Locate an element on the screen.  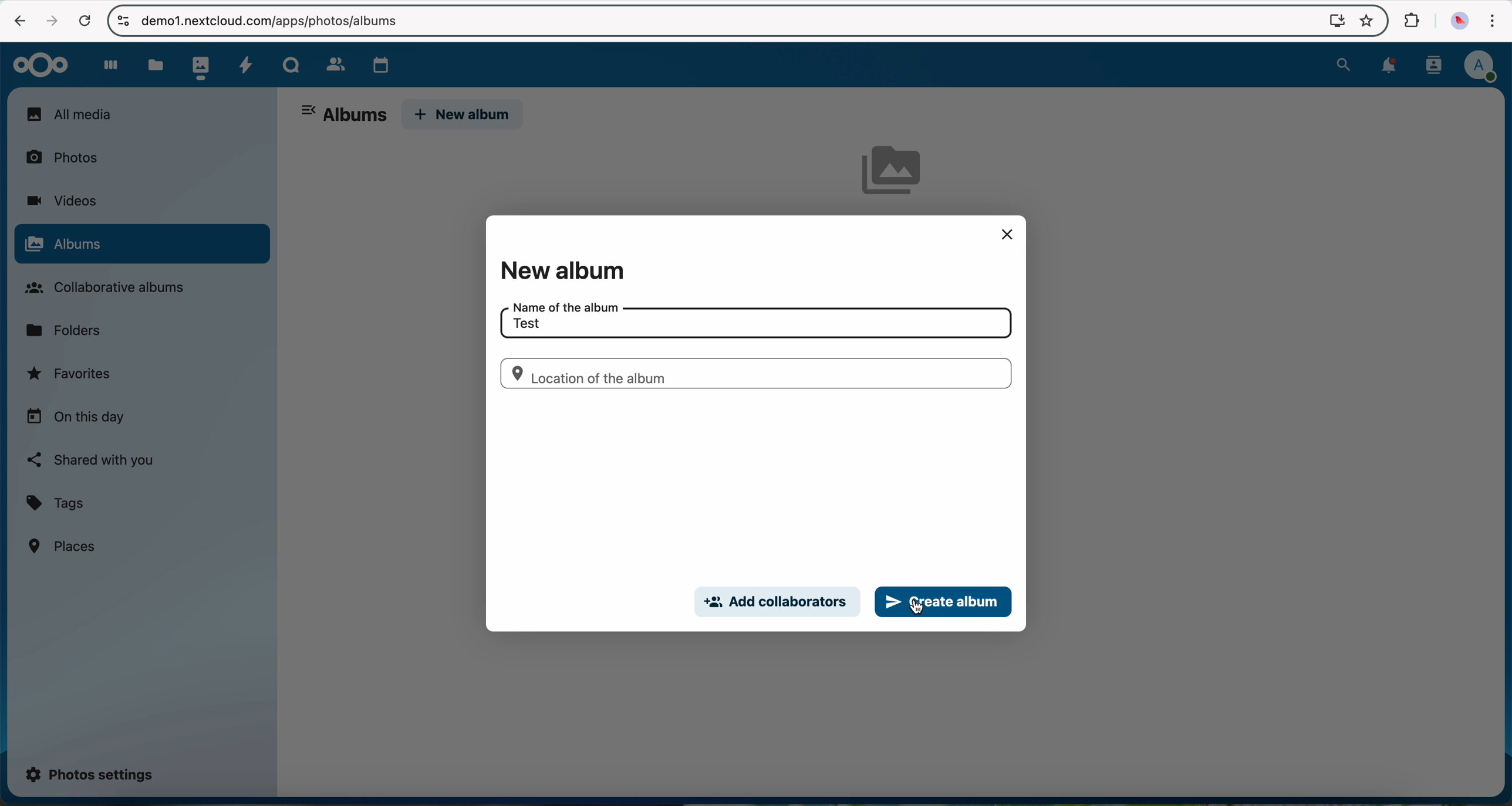
name of the album is located at coordinates (561, 306).